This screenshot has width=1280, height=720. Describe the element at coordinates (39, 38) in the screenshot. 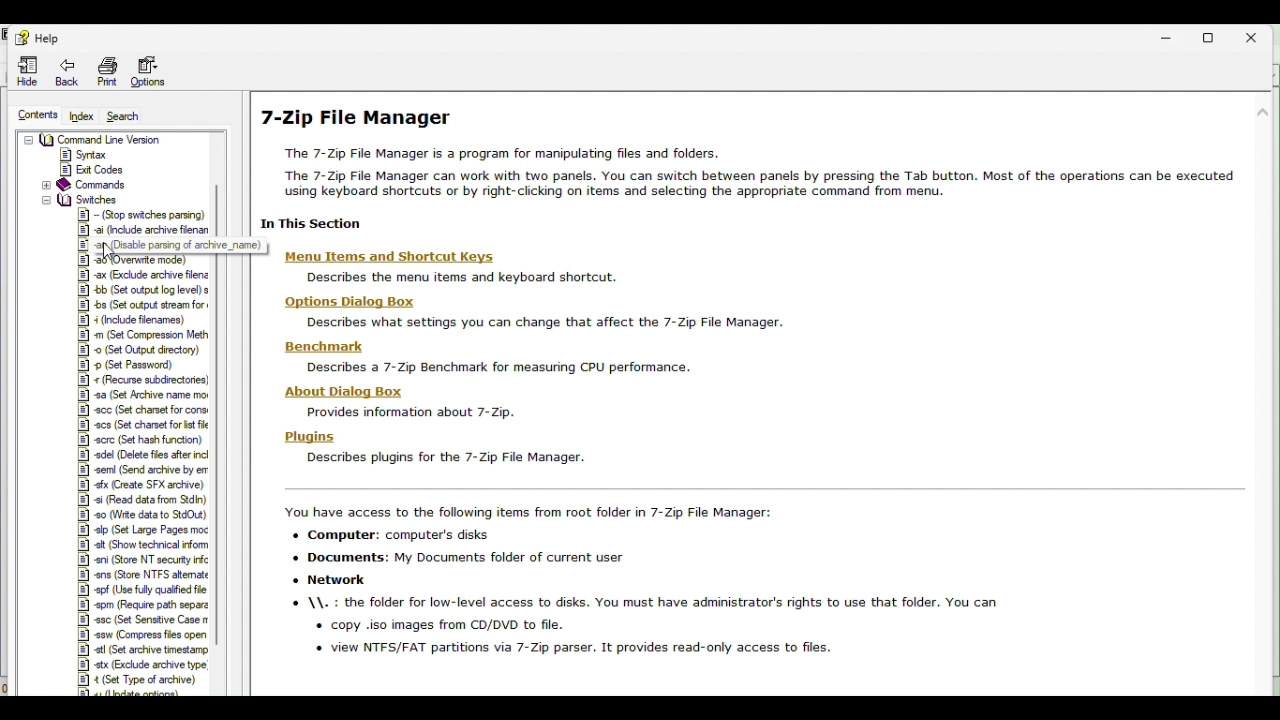

I see `Help` at that location.